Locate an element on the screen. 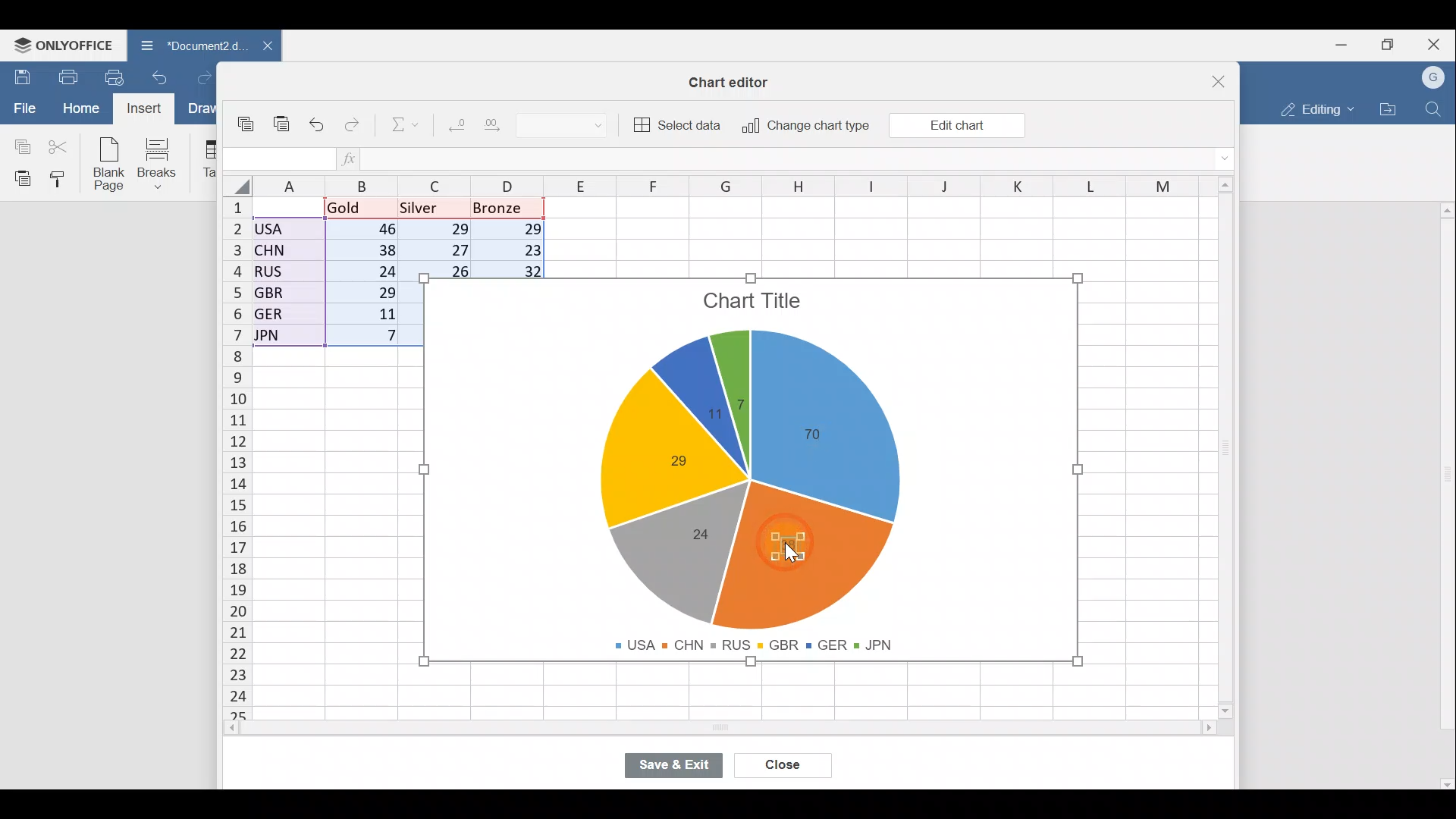 Image resolution: width=1456 pixels, height=819 pixels. Formula bar is located at coordinates (804, 158).